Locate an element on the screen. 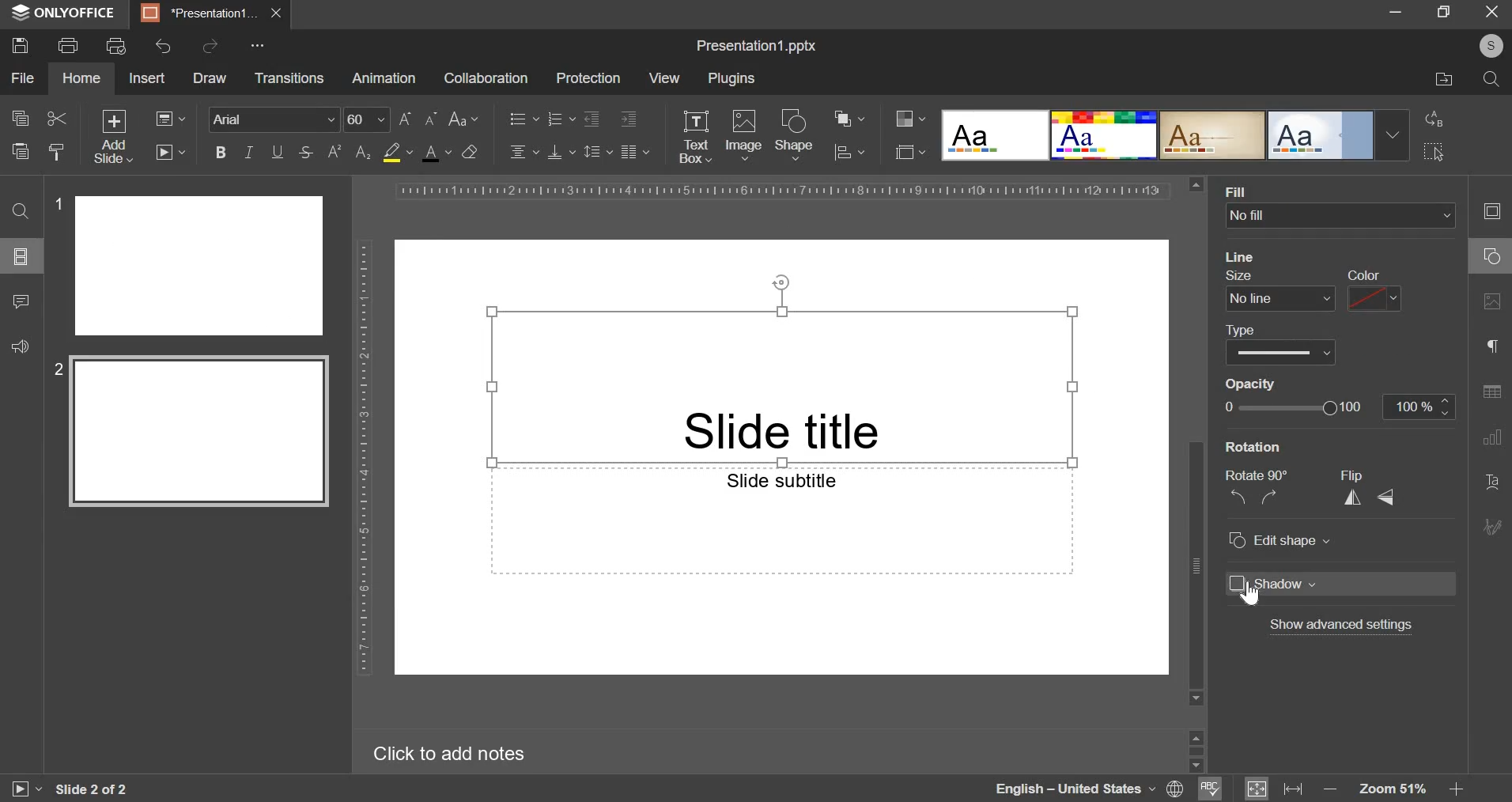  language is located at coordinates (1074, 789).